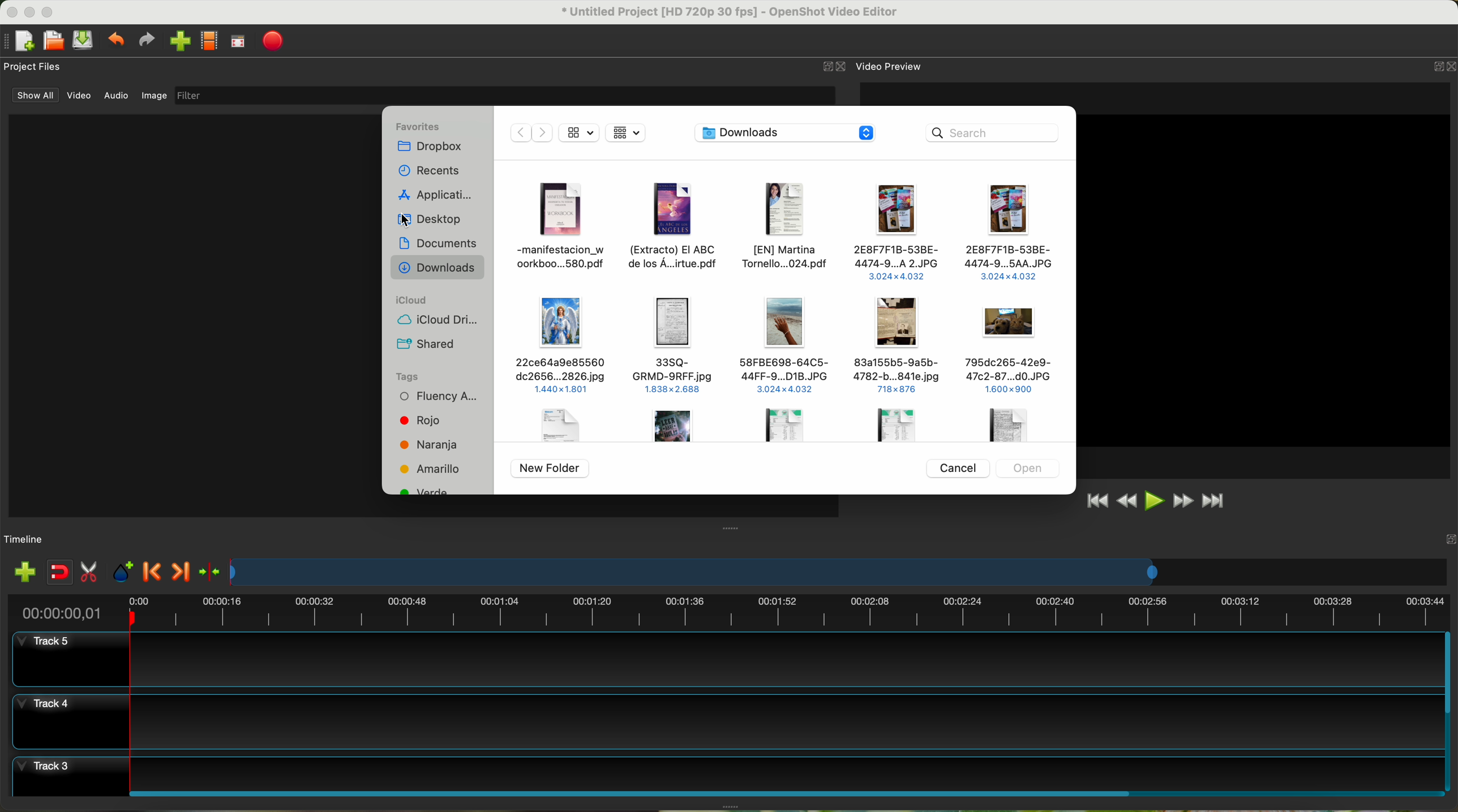  I want to click on workspace, so click(1265, 280).